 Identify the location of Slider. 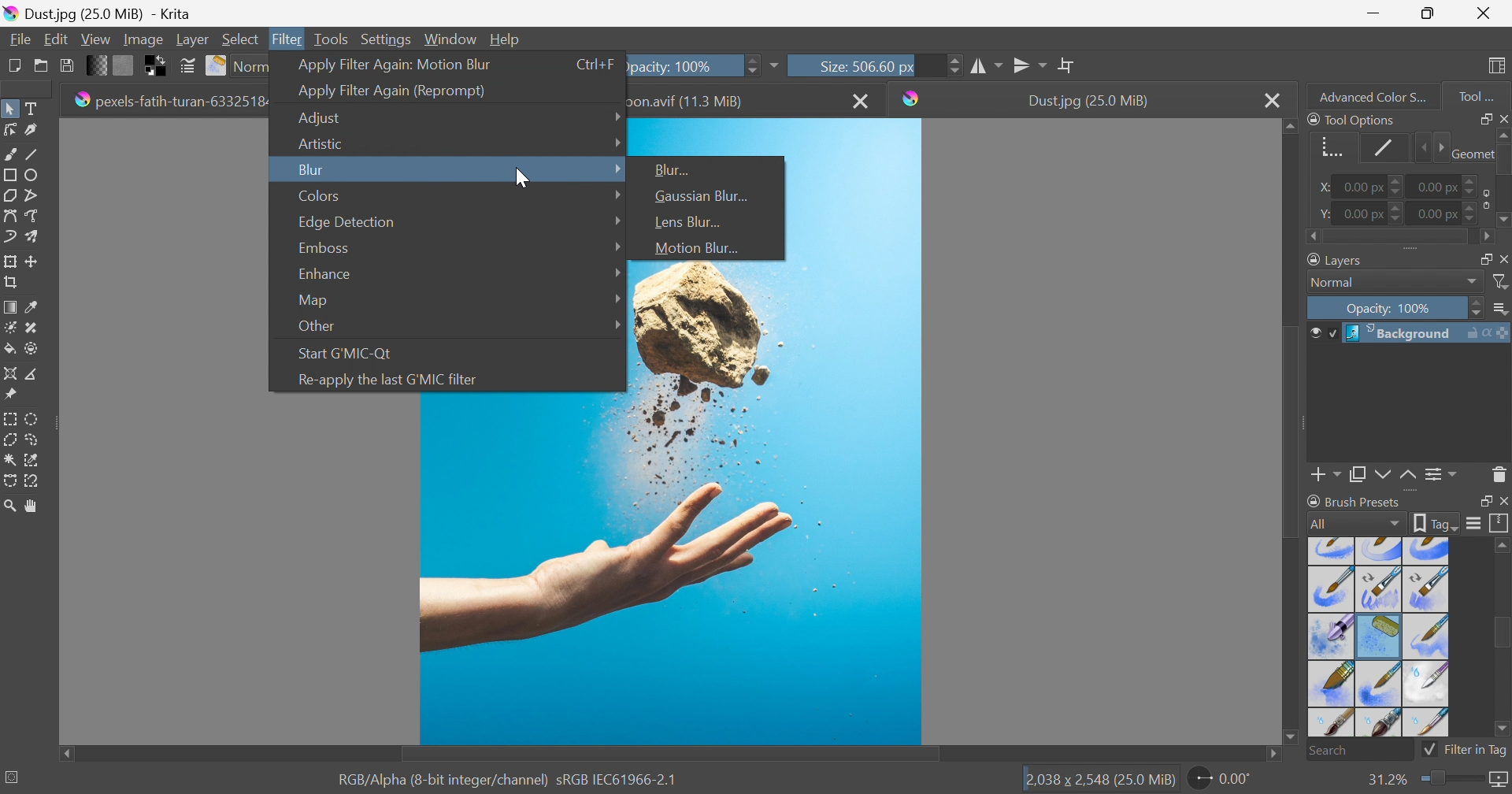
(1398, 187).